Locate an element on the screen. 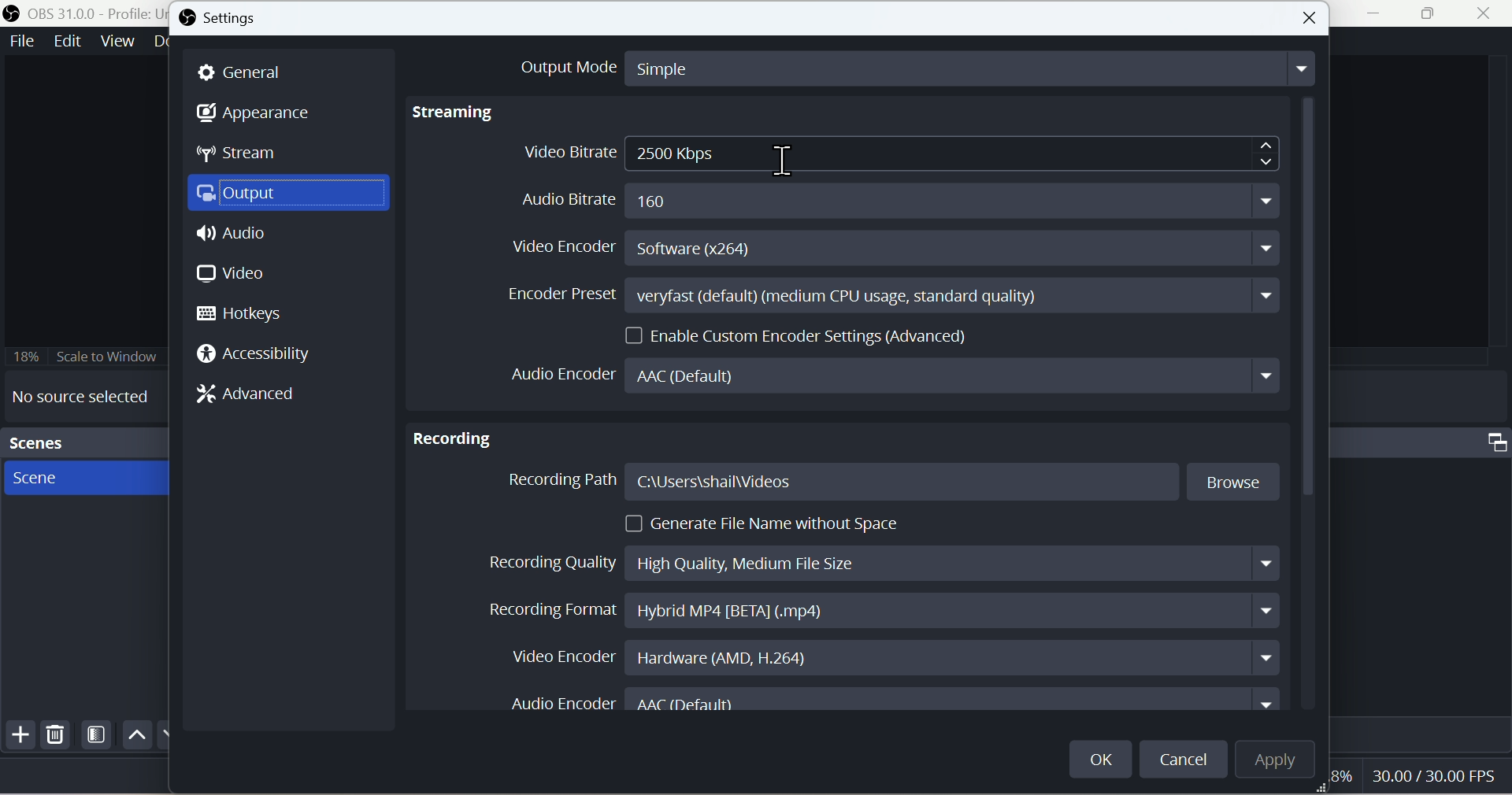  Video Encoder is located at coordinates (897, 250).